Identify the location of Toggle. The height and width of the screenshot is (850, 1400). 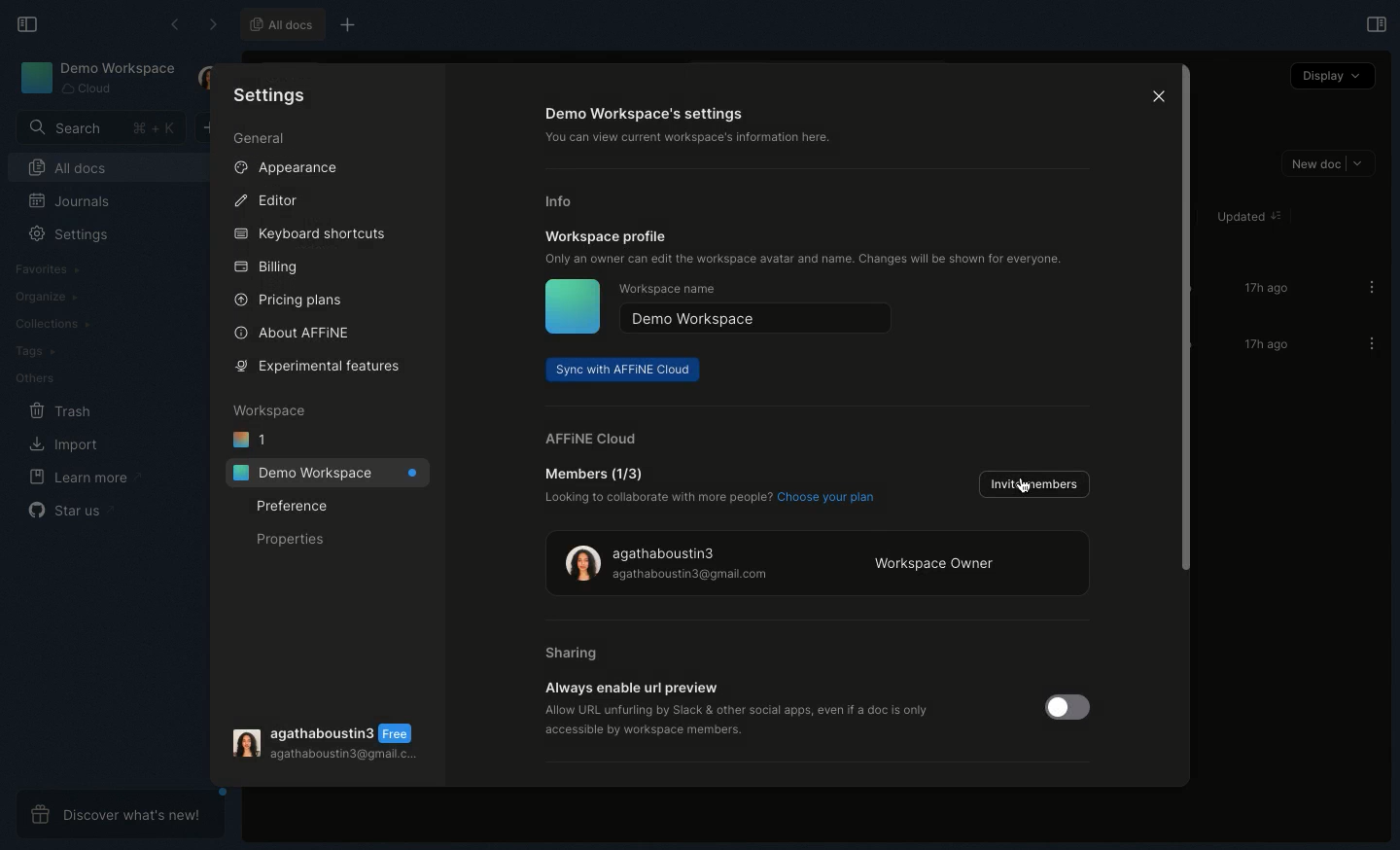
(1065, 708).